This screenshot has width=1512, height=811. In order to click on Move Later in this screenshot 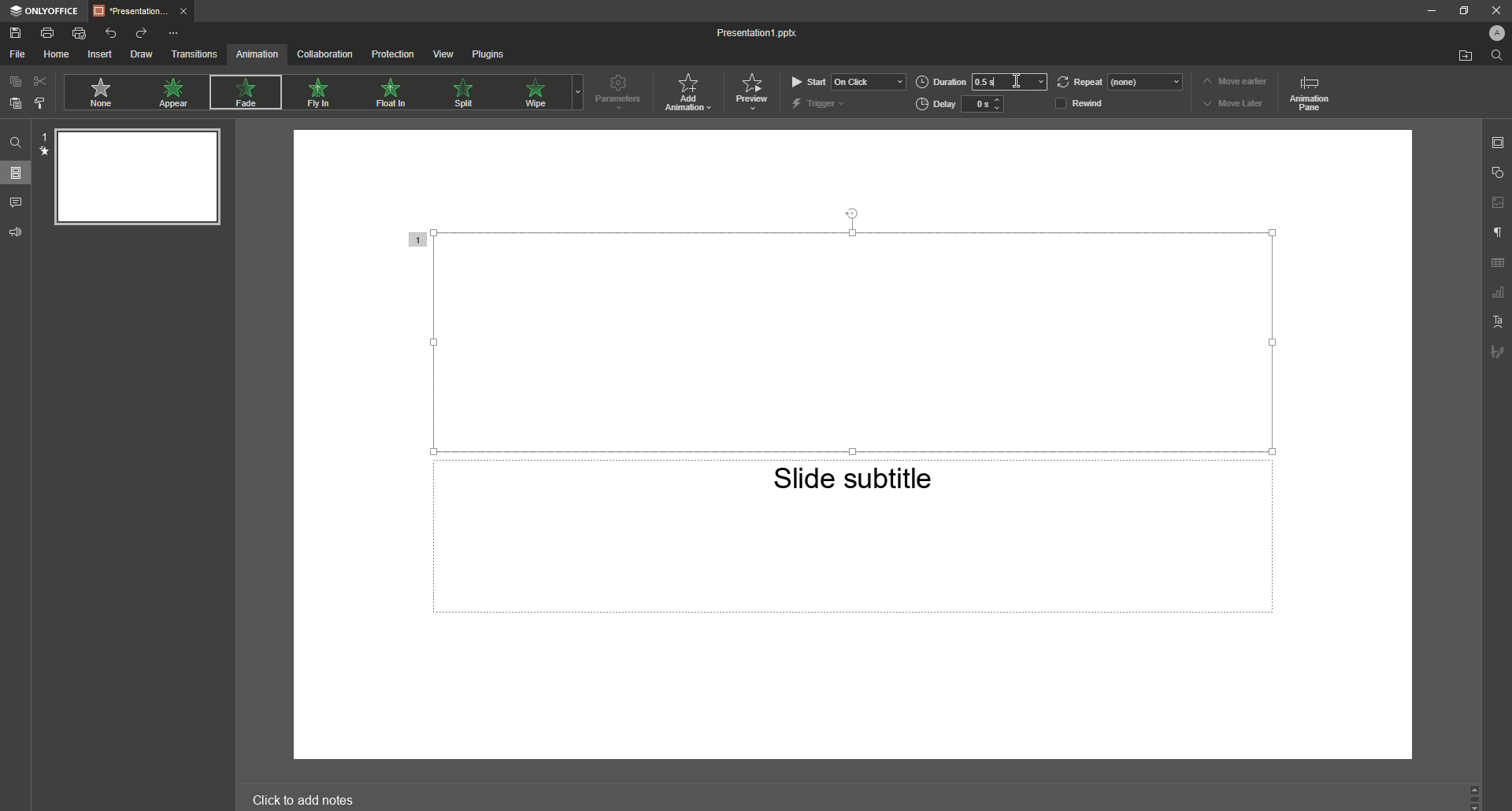, I will do `click(1236, 103)`.